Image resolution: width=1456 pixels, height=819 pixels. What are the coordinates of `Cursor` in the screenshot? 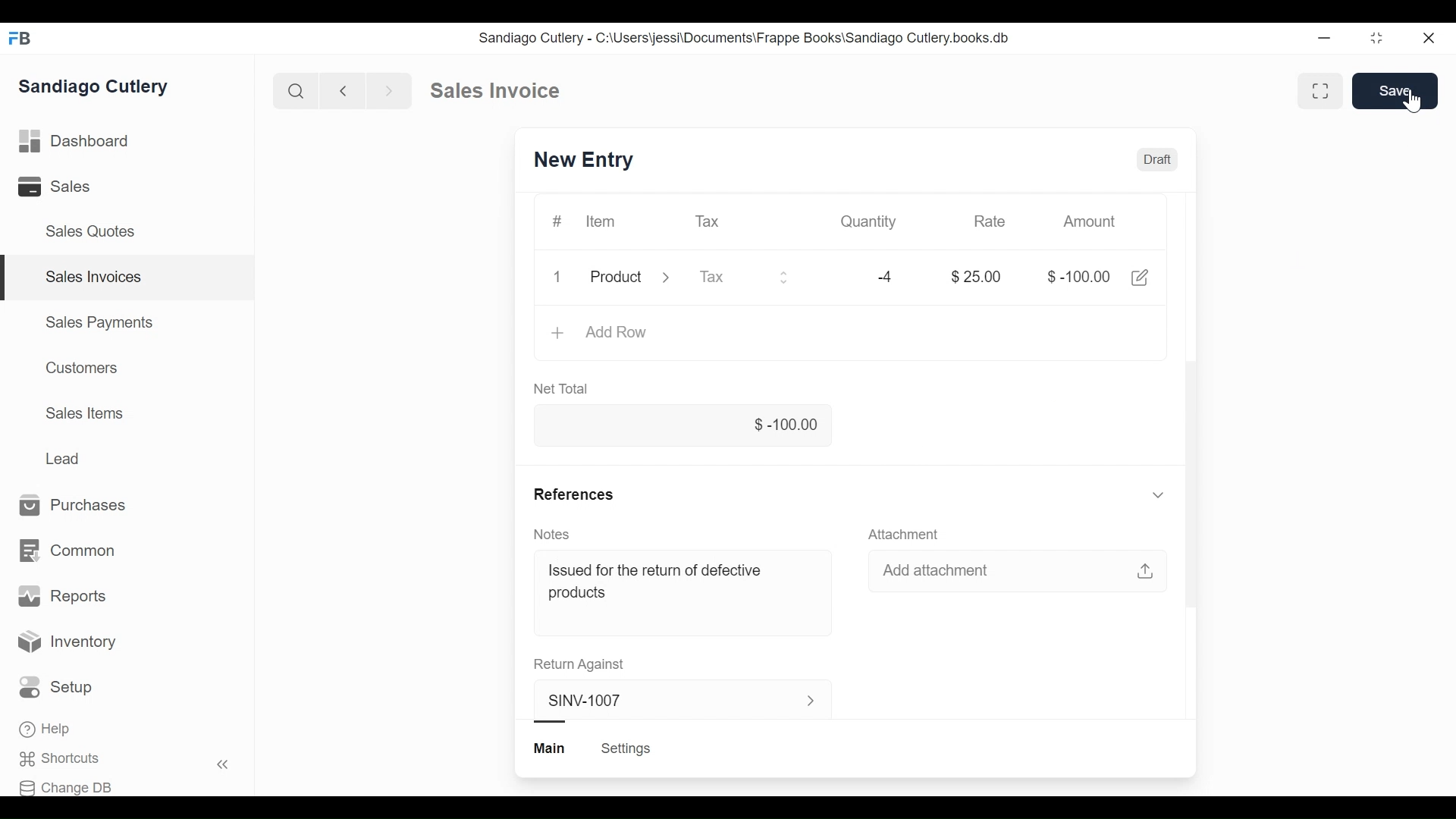 It's located at (1411, 100).